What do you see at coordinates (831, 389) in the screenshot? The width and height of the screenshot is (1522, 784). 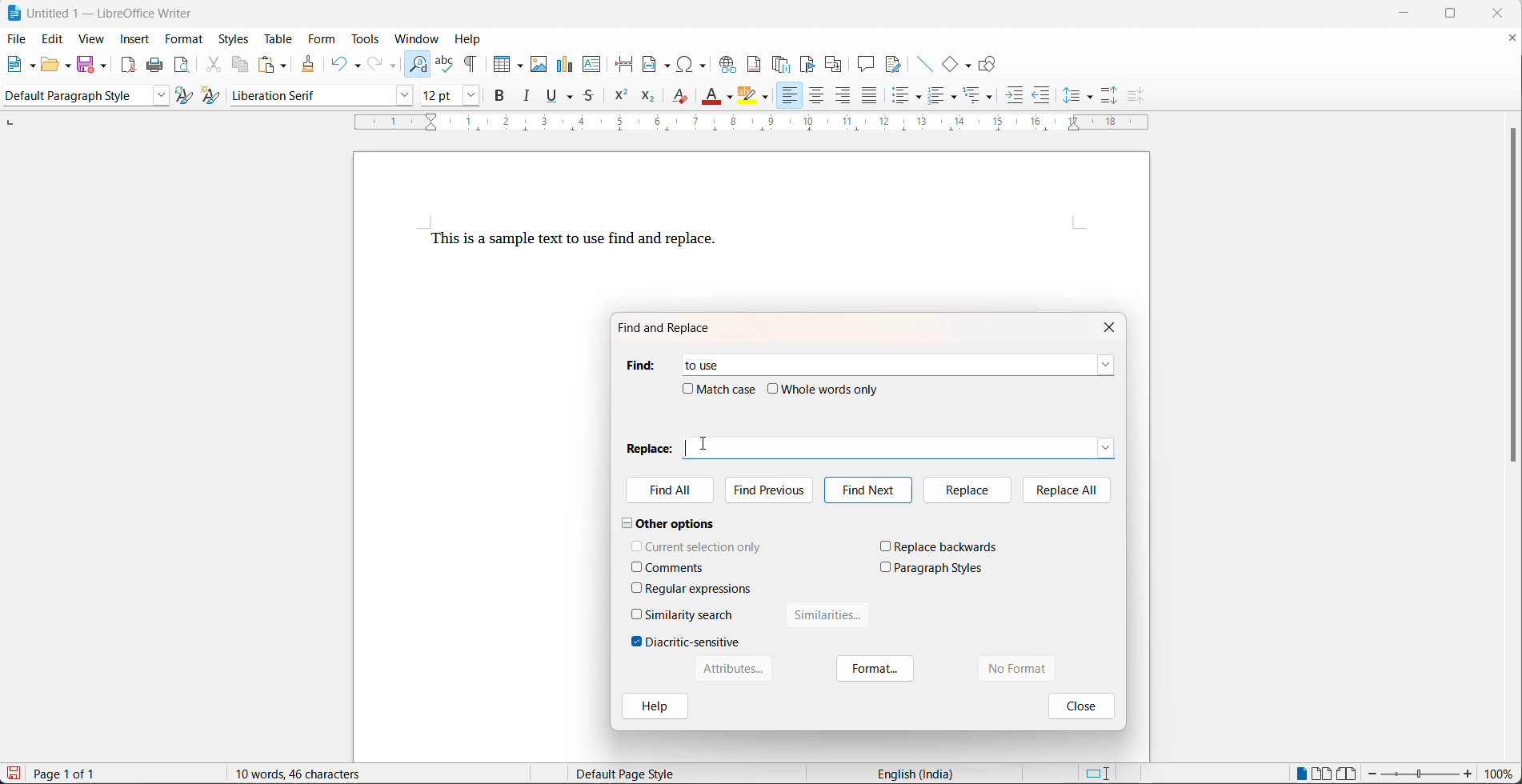 I see `whole words only` at bounding box center [831, 389].